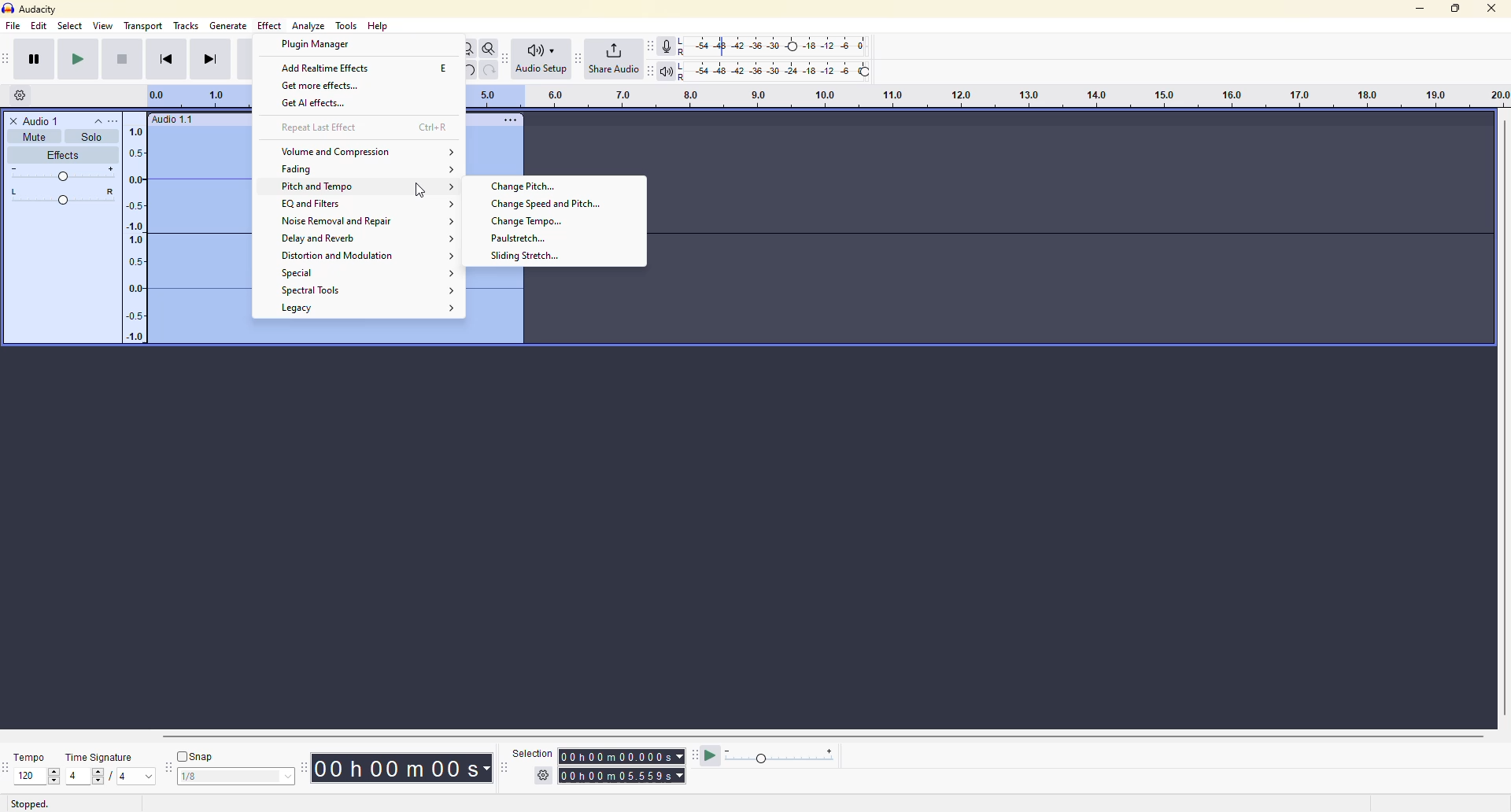  What do you see at coordinates (316, 290) in the screenshot?
I see `spectral tools` at bounding box center [316, 290].